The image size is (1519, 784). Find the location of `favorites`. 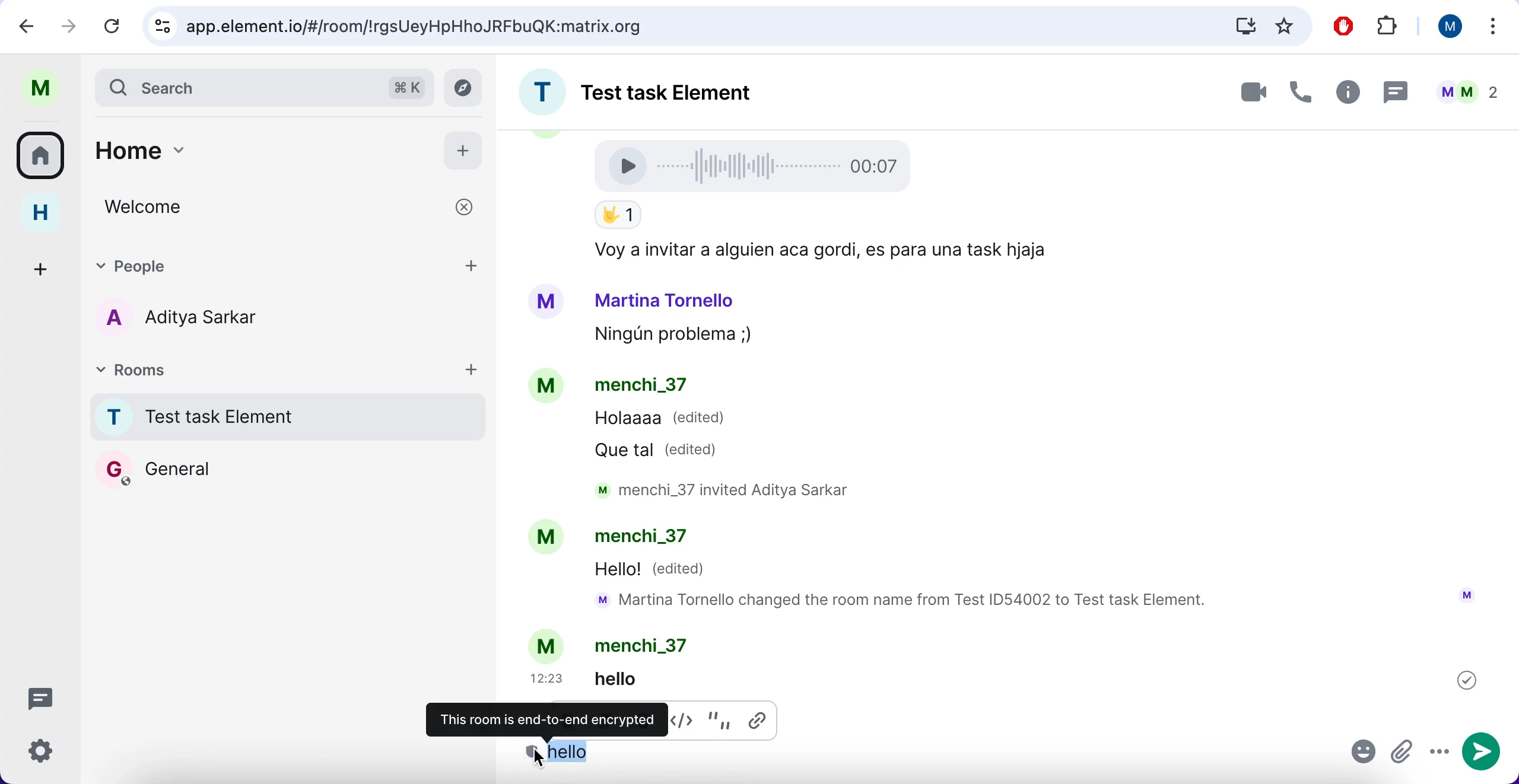

favorites is located at coordinates (1285, 27).